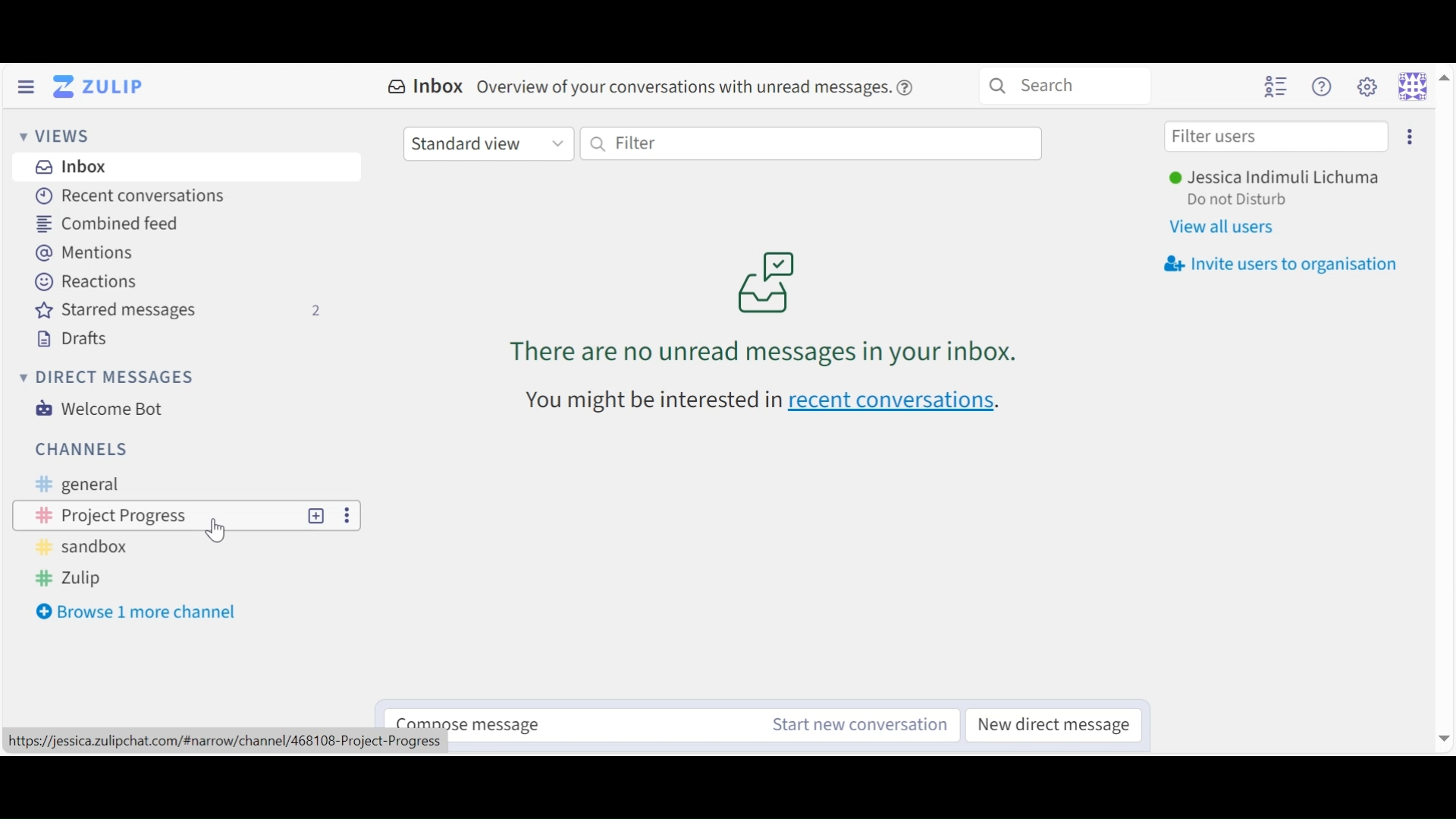 The height and width of the screenshot is (819, 1456). I want to click on Search, so click(1075, 82).